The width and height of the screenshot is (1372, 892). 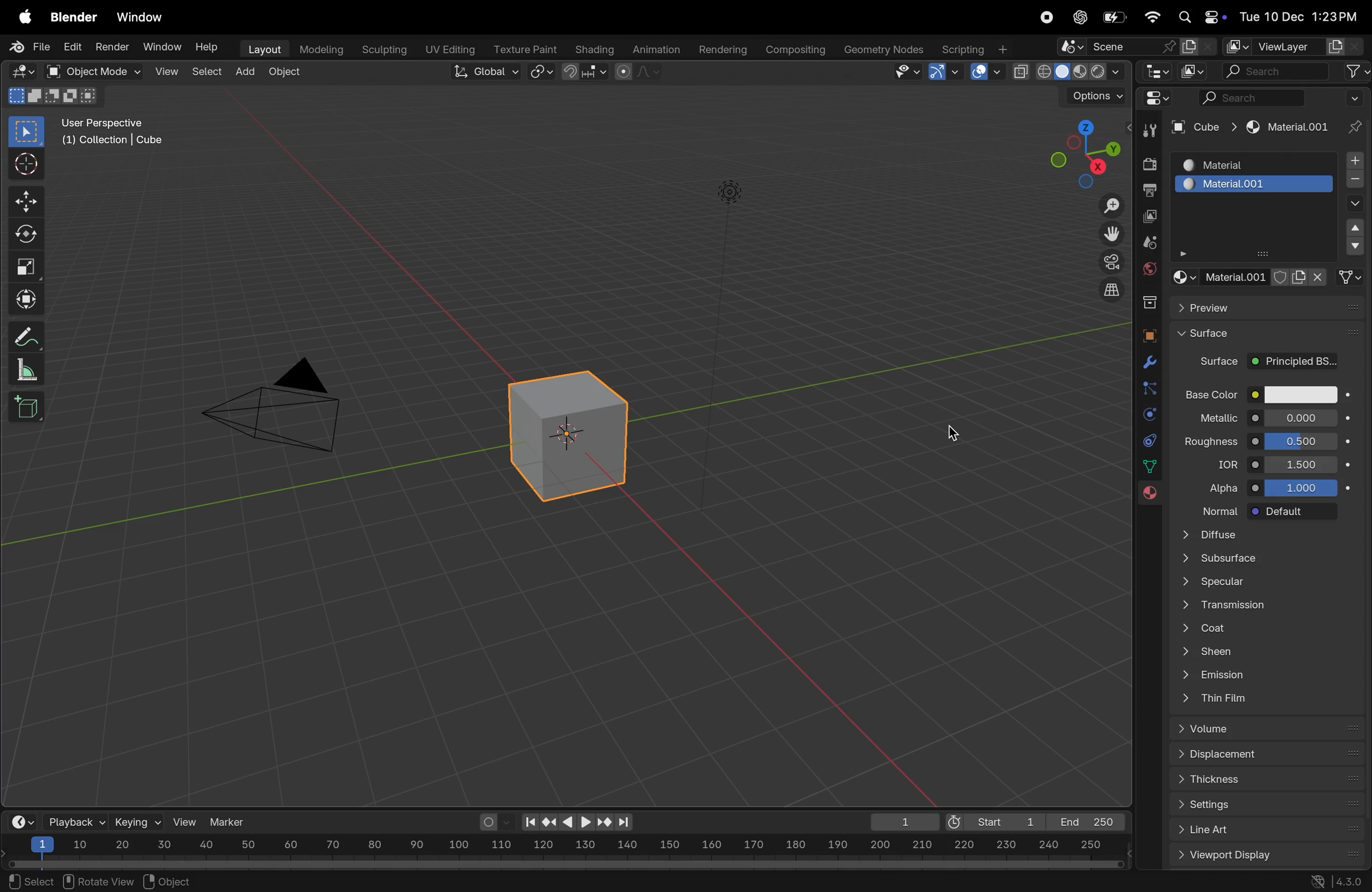 I want to click on select, so click(x=205, y=71).